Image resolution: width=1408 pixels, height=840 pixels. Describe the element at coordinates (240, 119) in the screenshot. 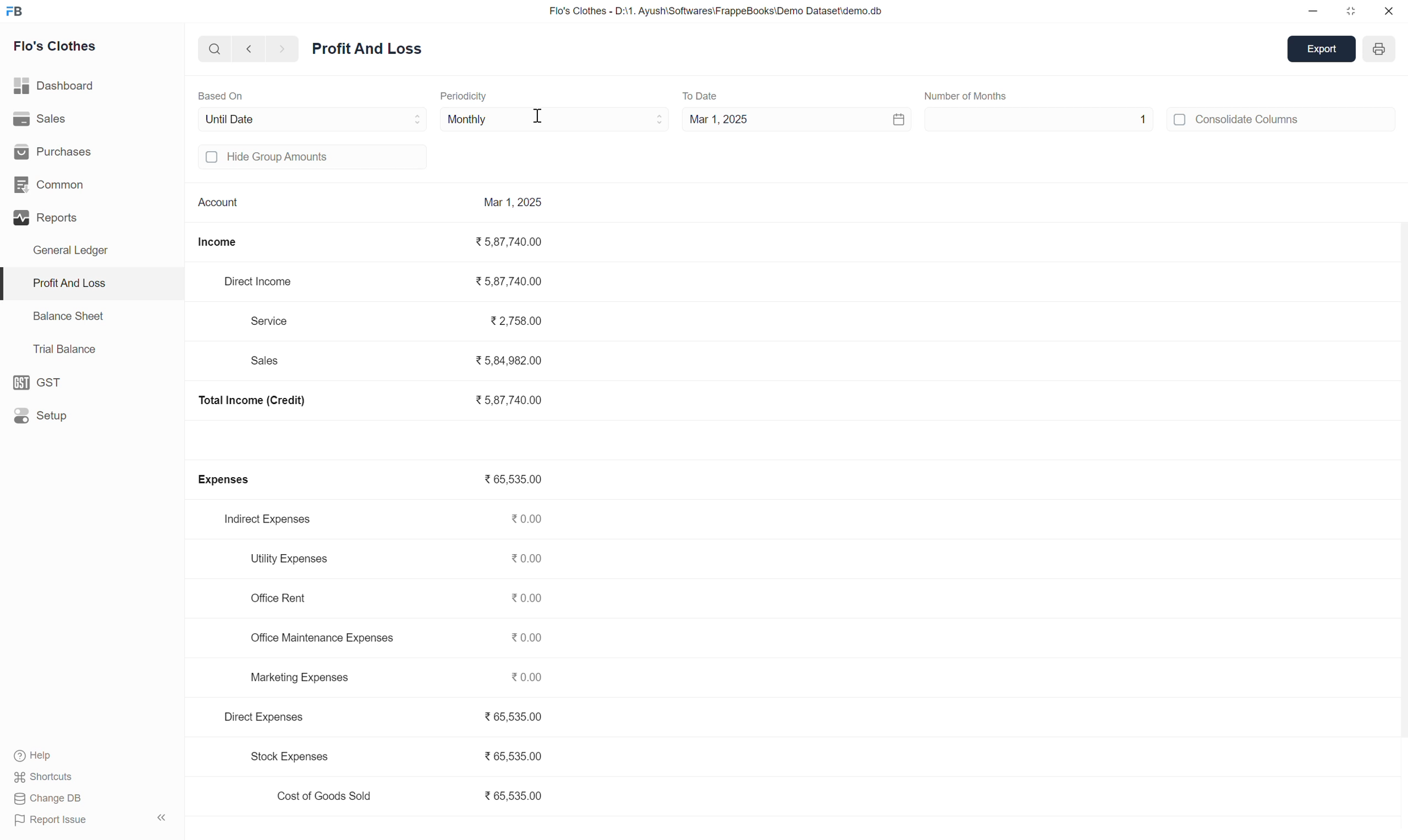

I see `Until Date` at that location.